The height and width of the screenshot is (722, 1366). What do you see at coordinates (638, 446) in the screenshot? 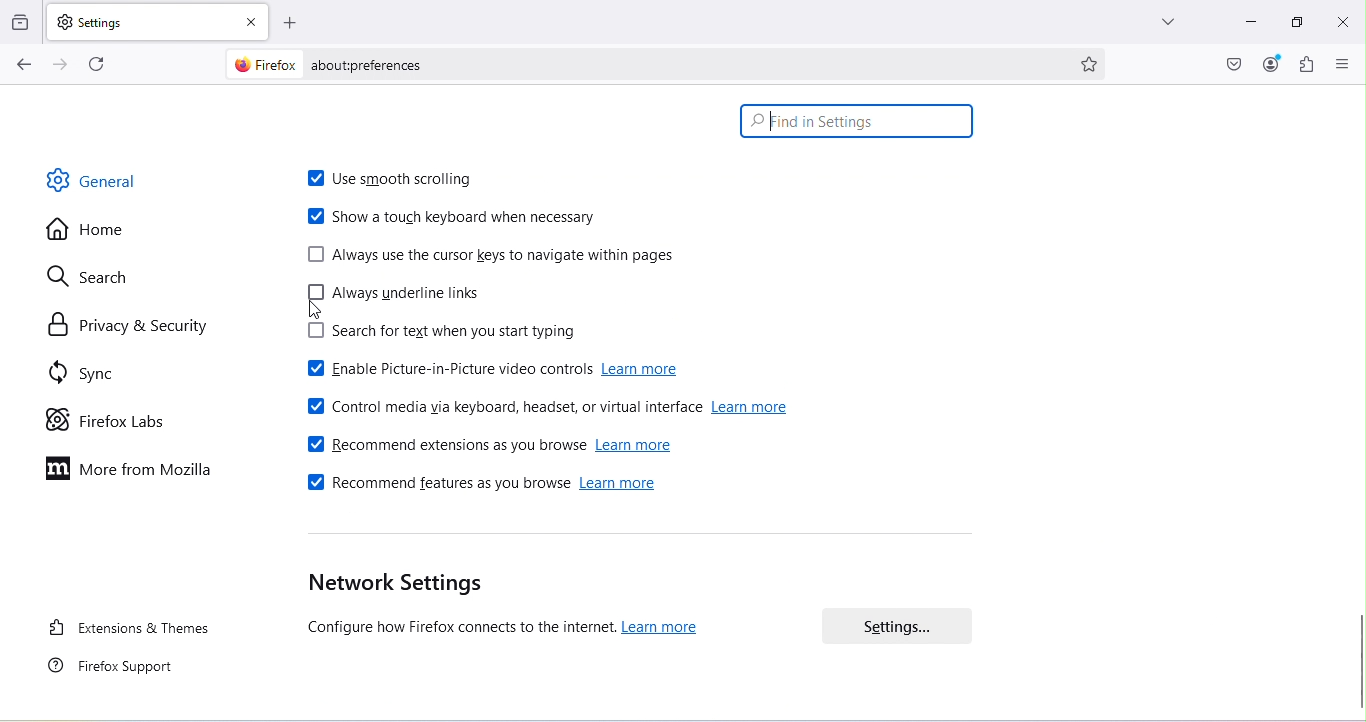
I see `learn more` at bounding box center [638, 446].